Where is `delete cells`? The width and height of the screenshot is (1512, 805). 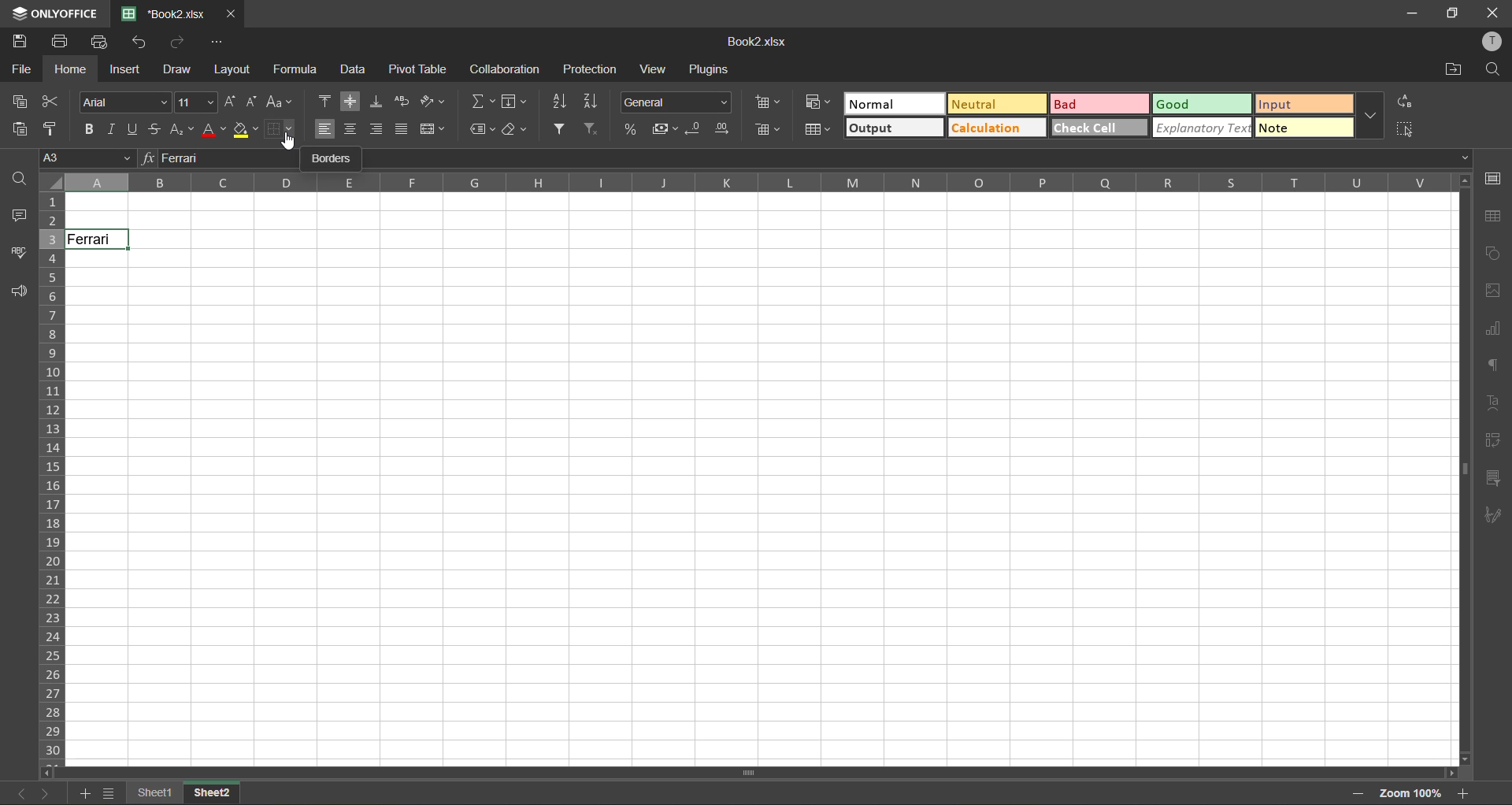
delete cells is located at coordinates (765, 129).